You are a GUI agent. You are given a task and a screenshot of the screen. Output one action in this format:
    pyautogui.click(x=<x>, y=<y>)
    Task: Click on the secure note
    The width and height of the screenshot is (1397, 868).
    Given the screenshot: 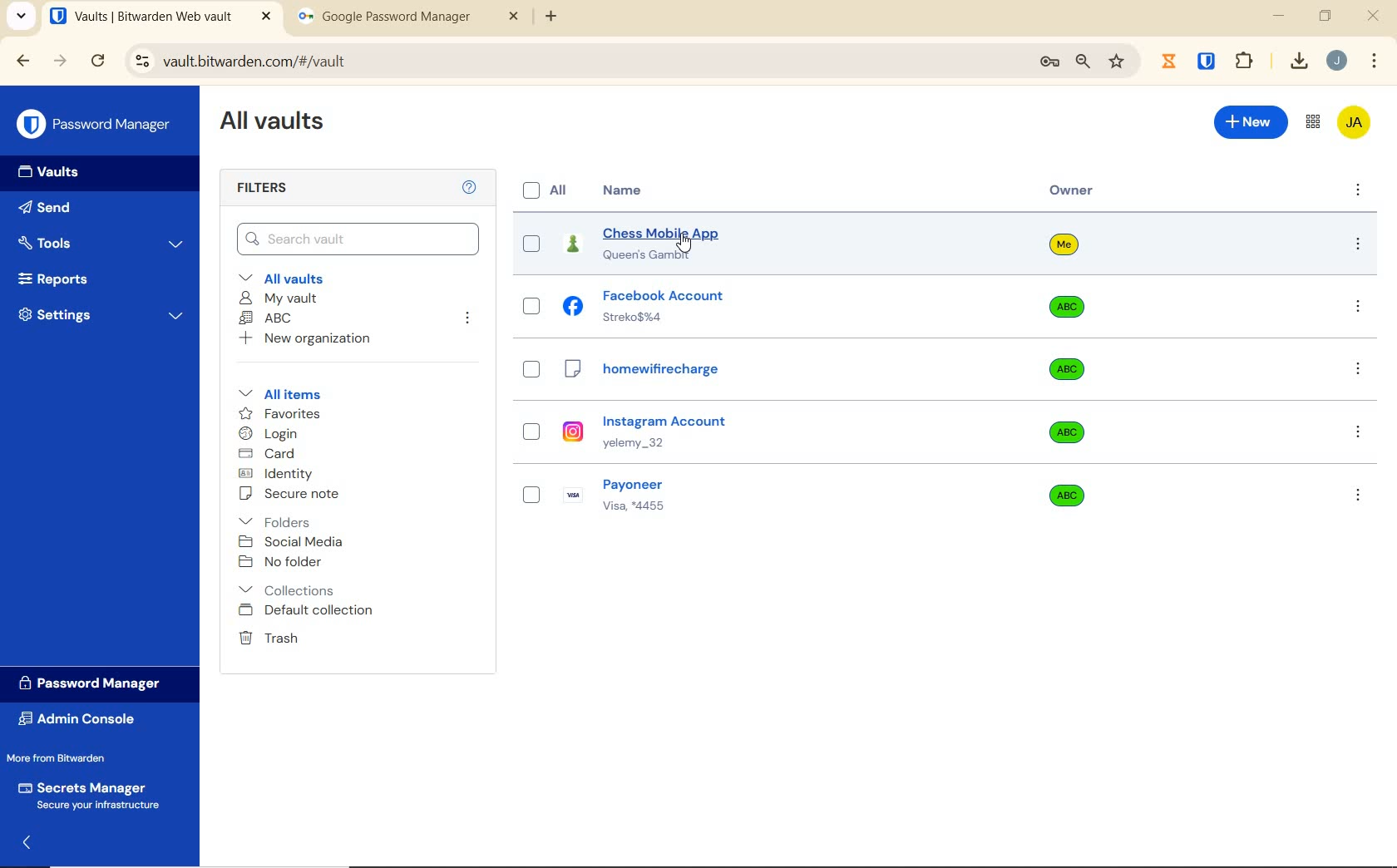 What is the action you would take?
    pyautogui.click(x=292, y=496)
    